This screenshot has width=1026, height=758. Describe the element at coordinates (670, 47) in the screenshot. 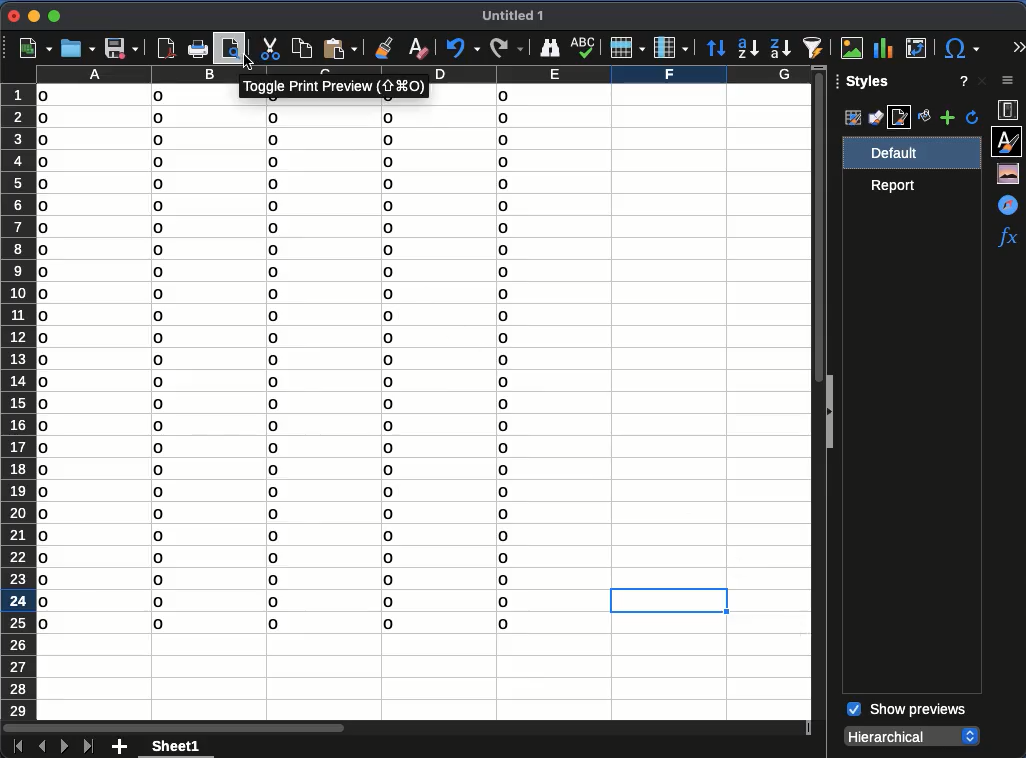

I see `column` at that location.